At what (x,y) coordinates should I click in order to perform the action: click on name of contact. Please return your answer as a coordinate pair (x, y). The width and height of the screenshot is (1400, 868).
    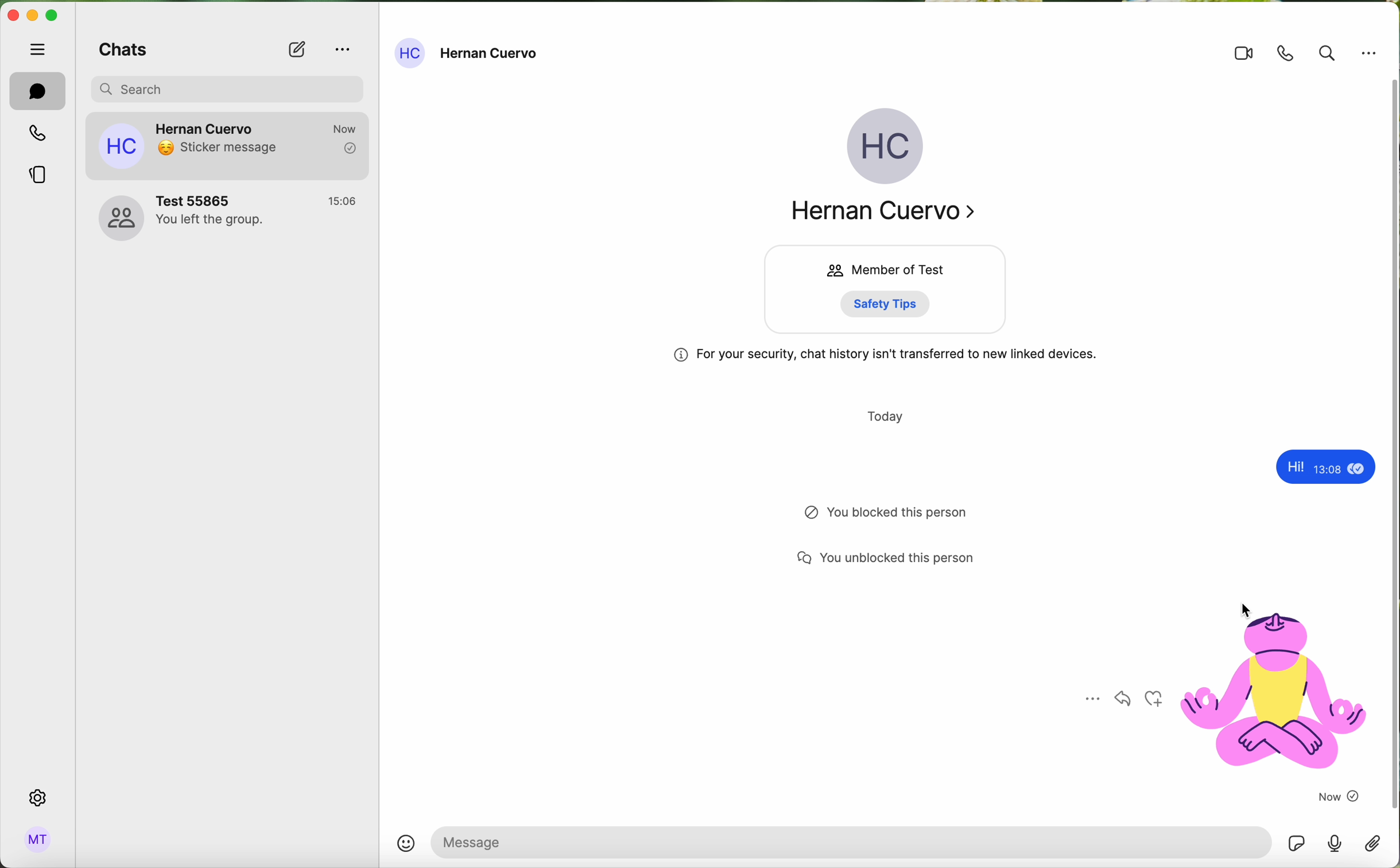
    Looking at the image, I should click on (469, 53).